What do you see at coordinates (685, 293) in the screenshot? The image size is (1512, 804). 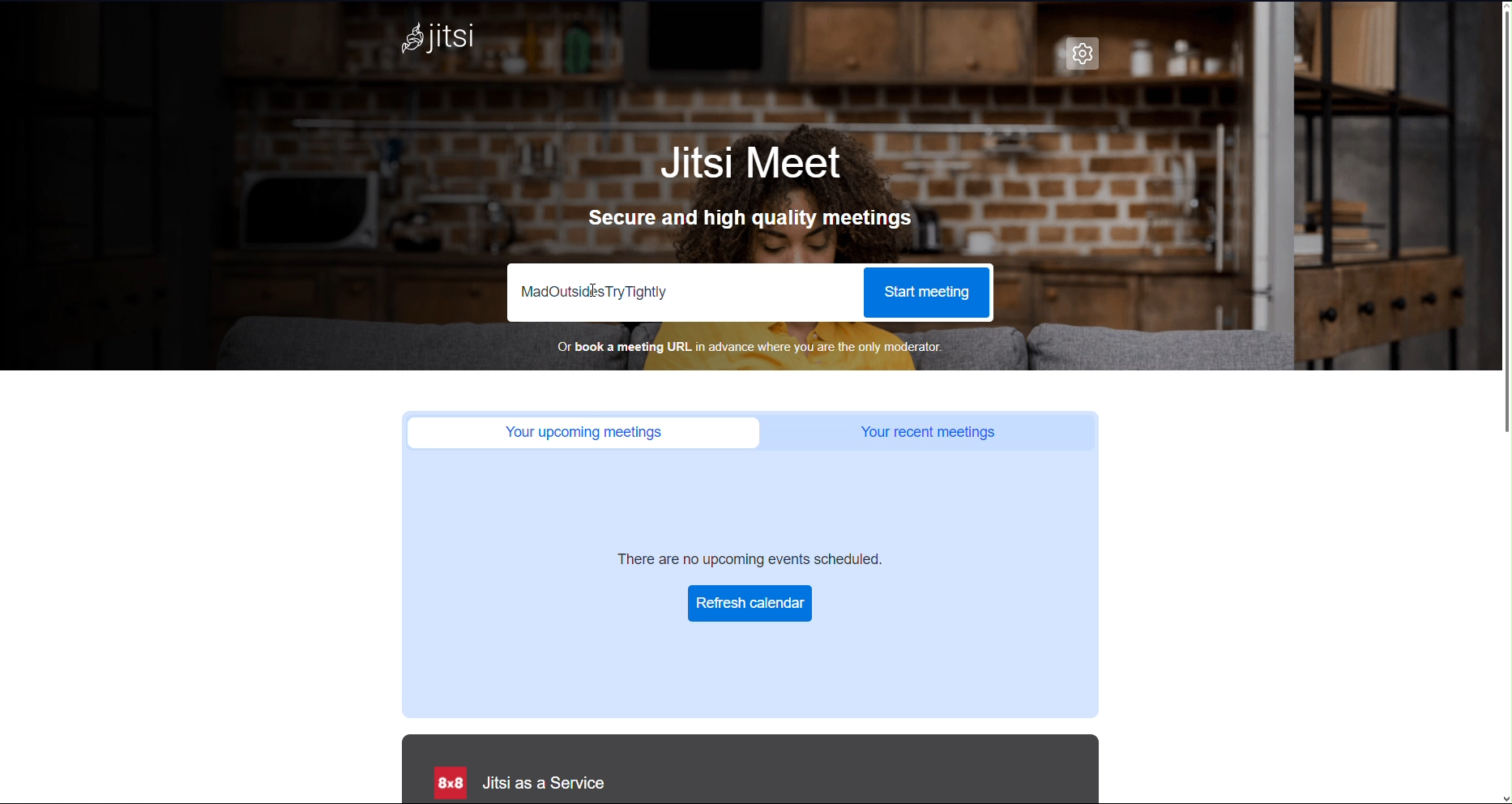 I see `Meeting URL` at bounding box center [685, 293].